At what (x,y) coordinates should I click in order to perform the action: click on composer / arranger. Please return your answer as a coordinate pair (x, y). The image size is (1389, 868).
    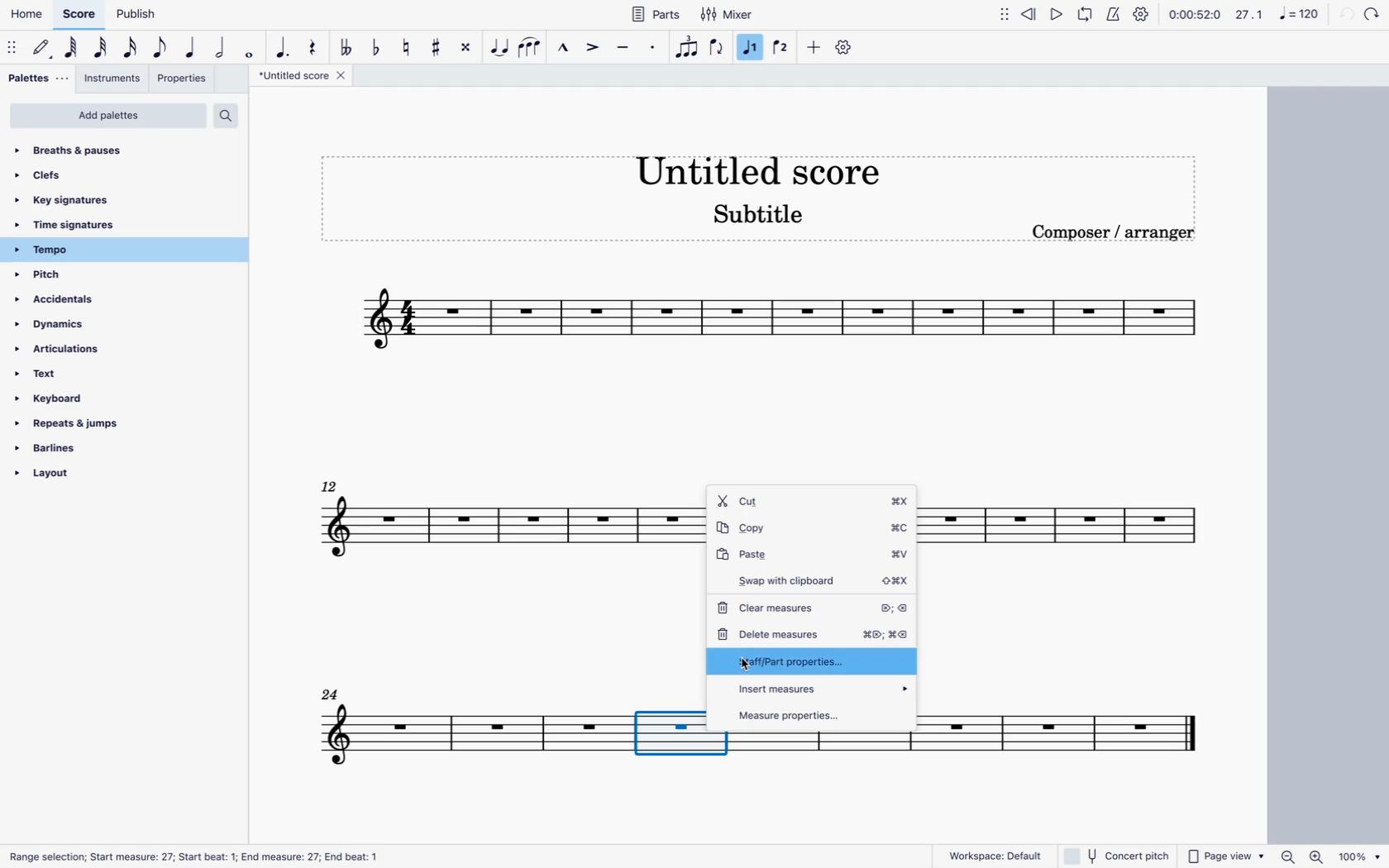
    Looking at the image, I should click on (1119, 230).